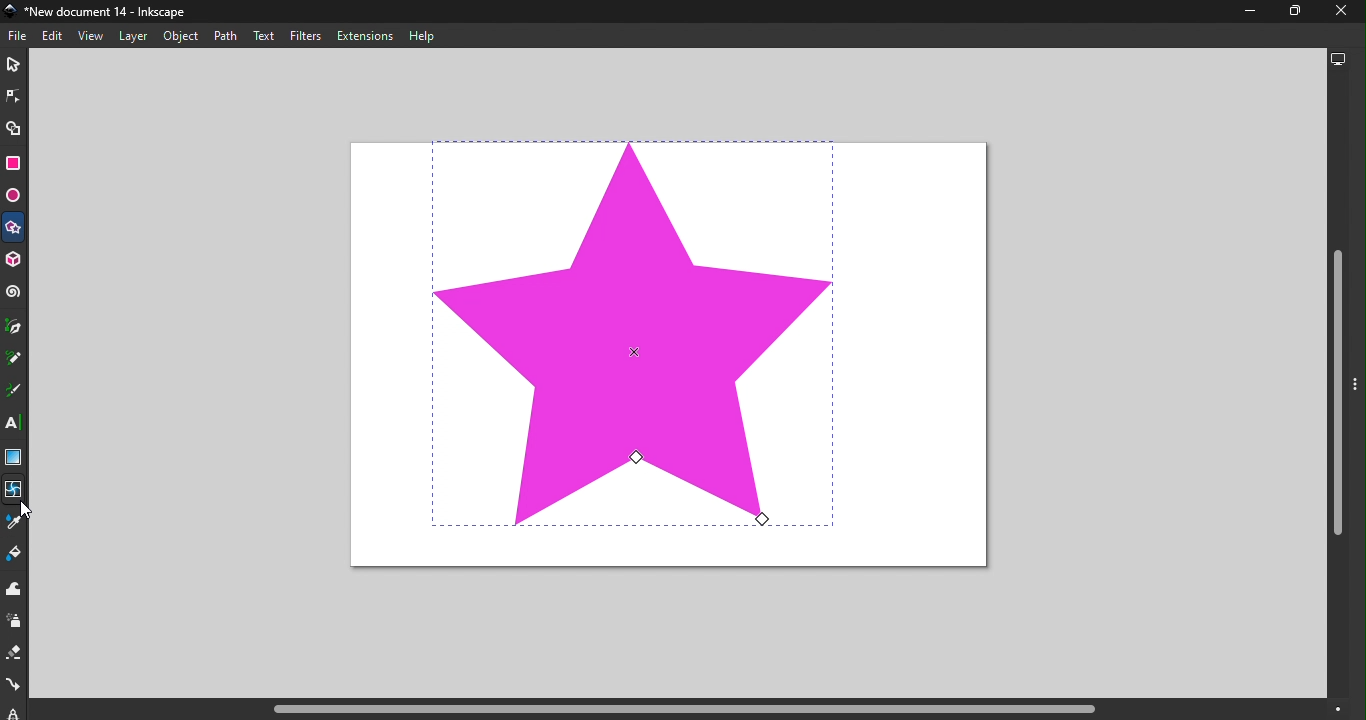 Image resolution: width=1366 pixels, height=720 pixels. I want to click on Filters, so click(305, 37).